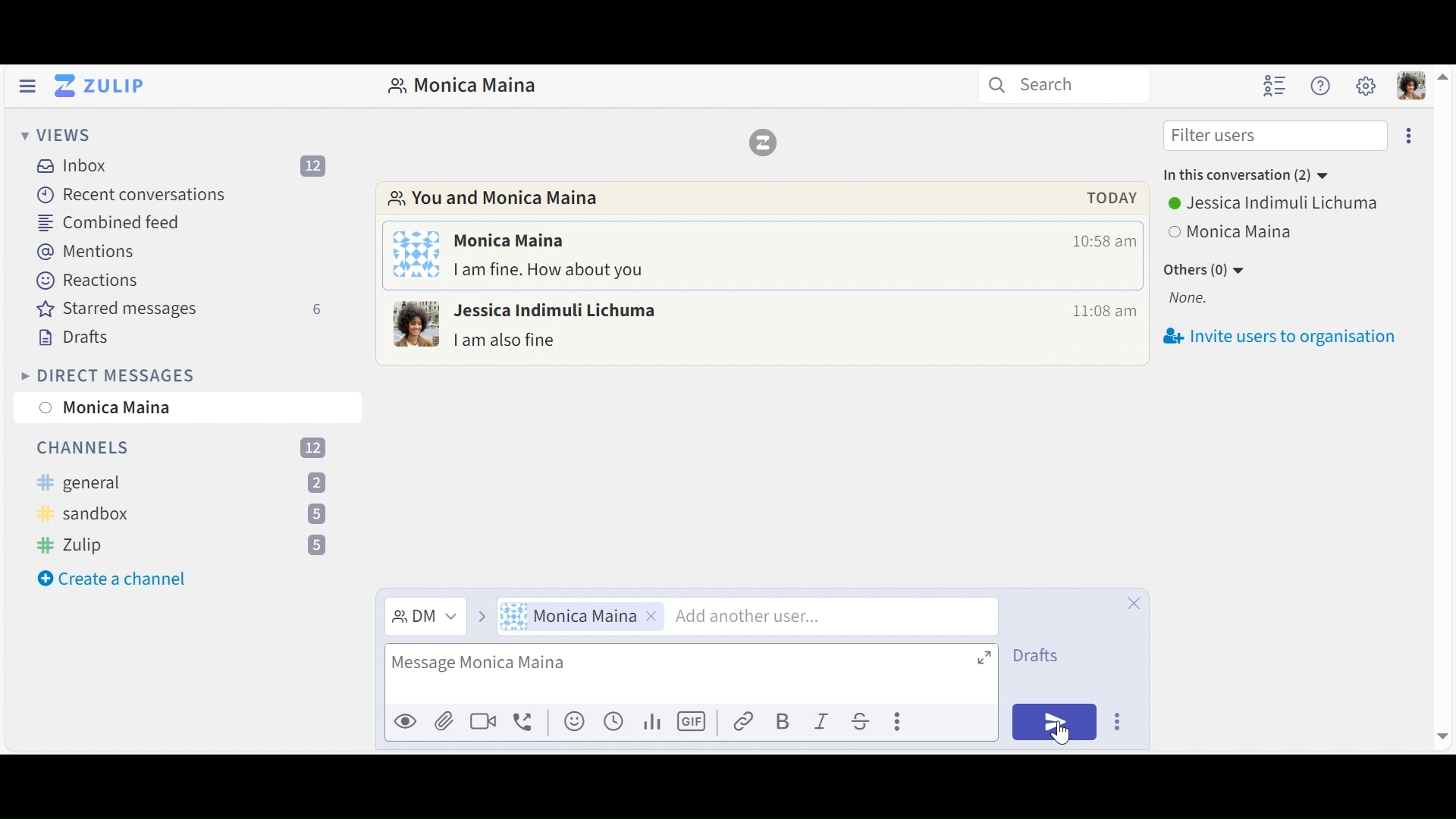 The image size is (1456, 819). I want to click on Add another user, so click(825, 615).